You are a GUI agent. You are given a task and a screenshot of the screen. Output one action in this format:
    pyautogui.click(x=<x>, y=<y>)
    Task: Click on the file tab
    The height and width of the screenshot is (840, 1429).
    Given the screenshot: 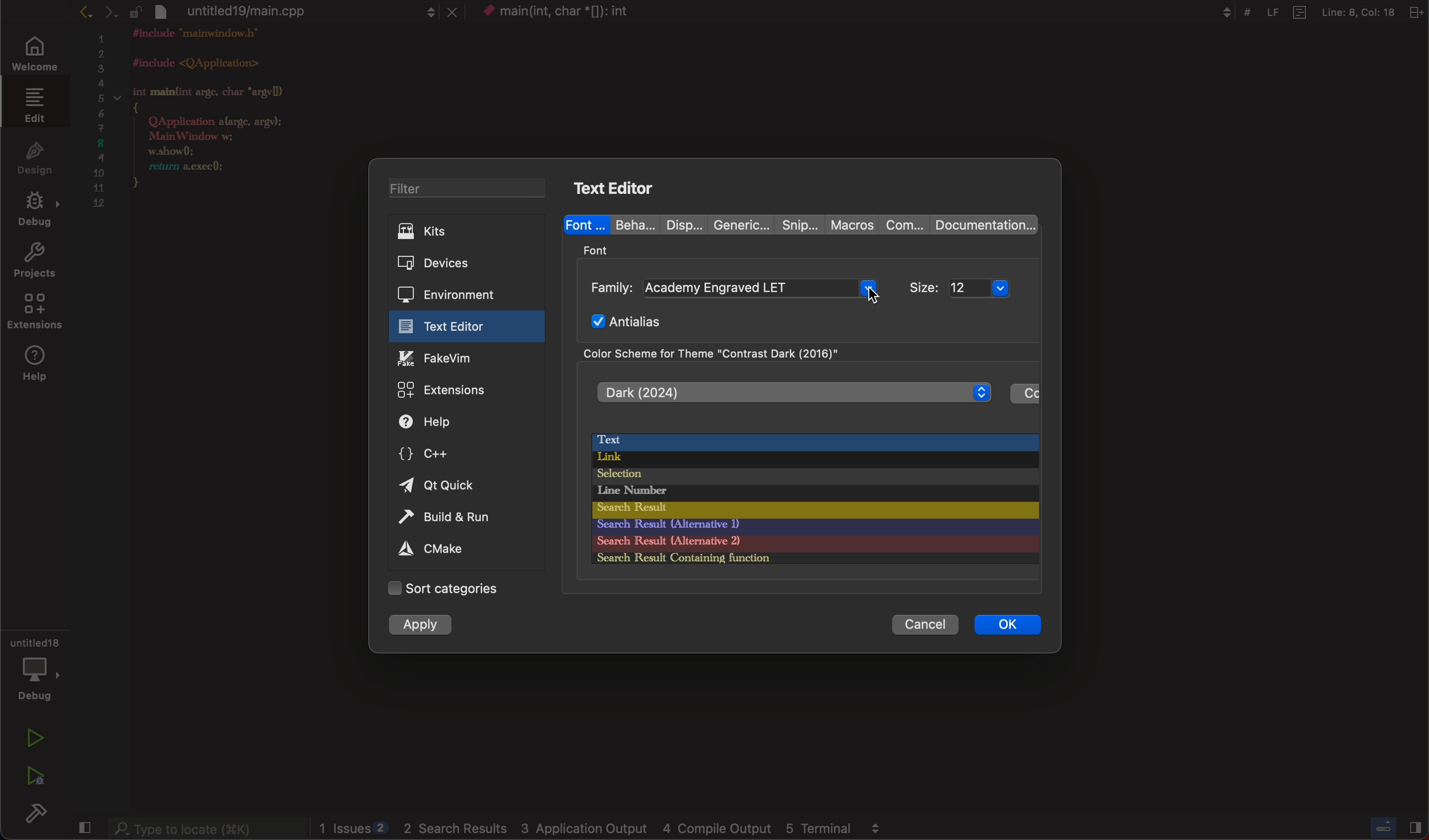 What is the action you would take?
    pyautogui.click(x=310, y=12)
    